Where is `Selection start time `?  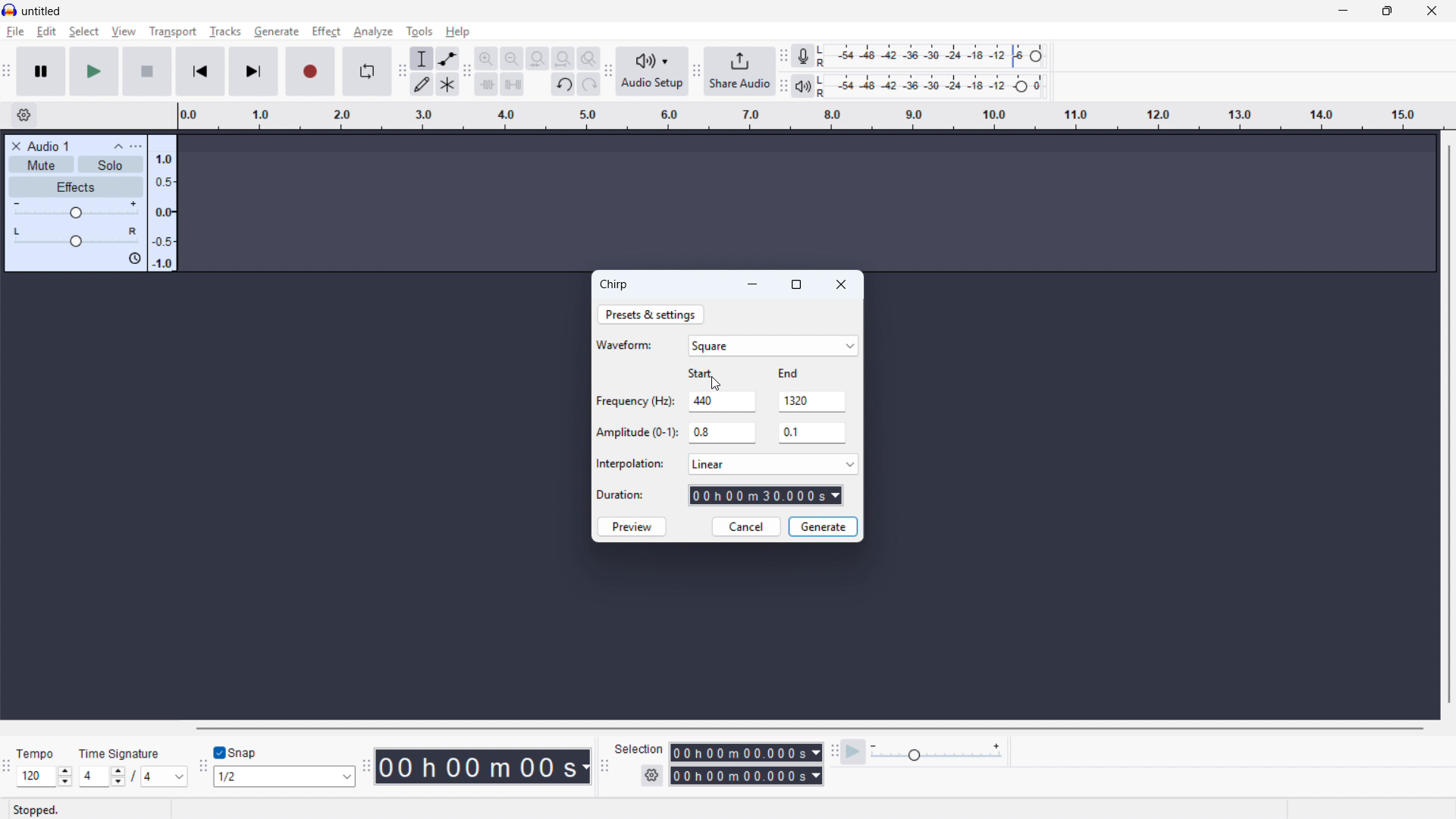 Selection start time  is located at coordinates (747, 752).